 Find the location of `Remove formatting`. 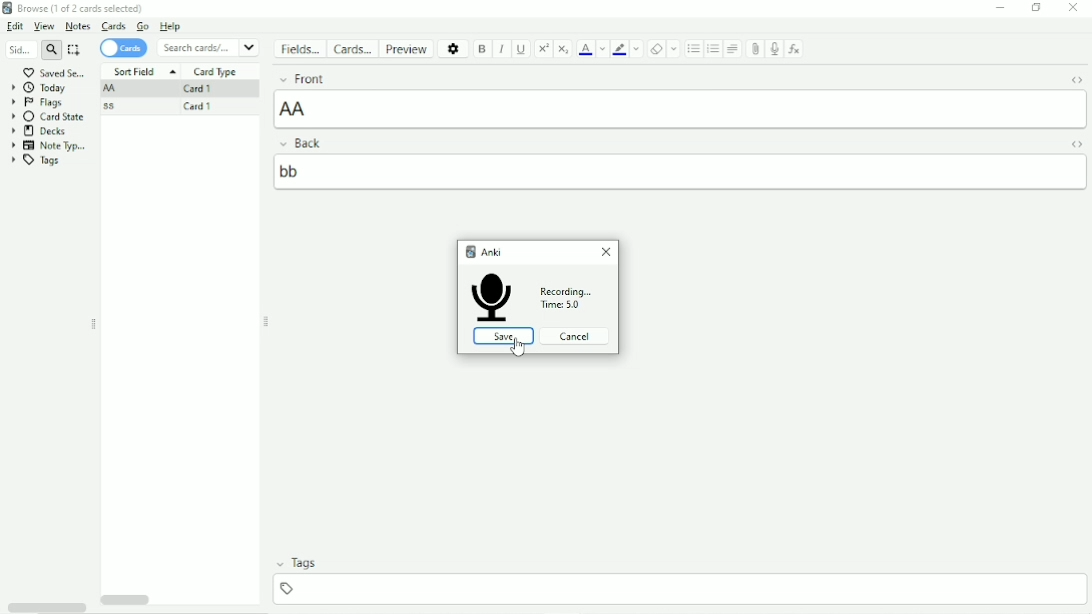

Remove formatting is located at coordinates (656, 49).